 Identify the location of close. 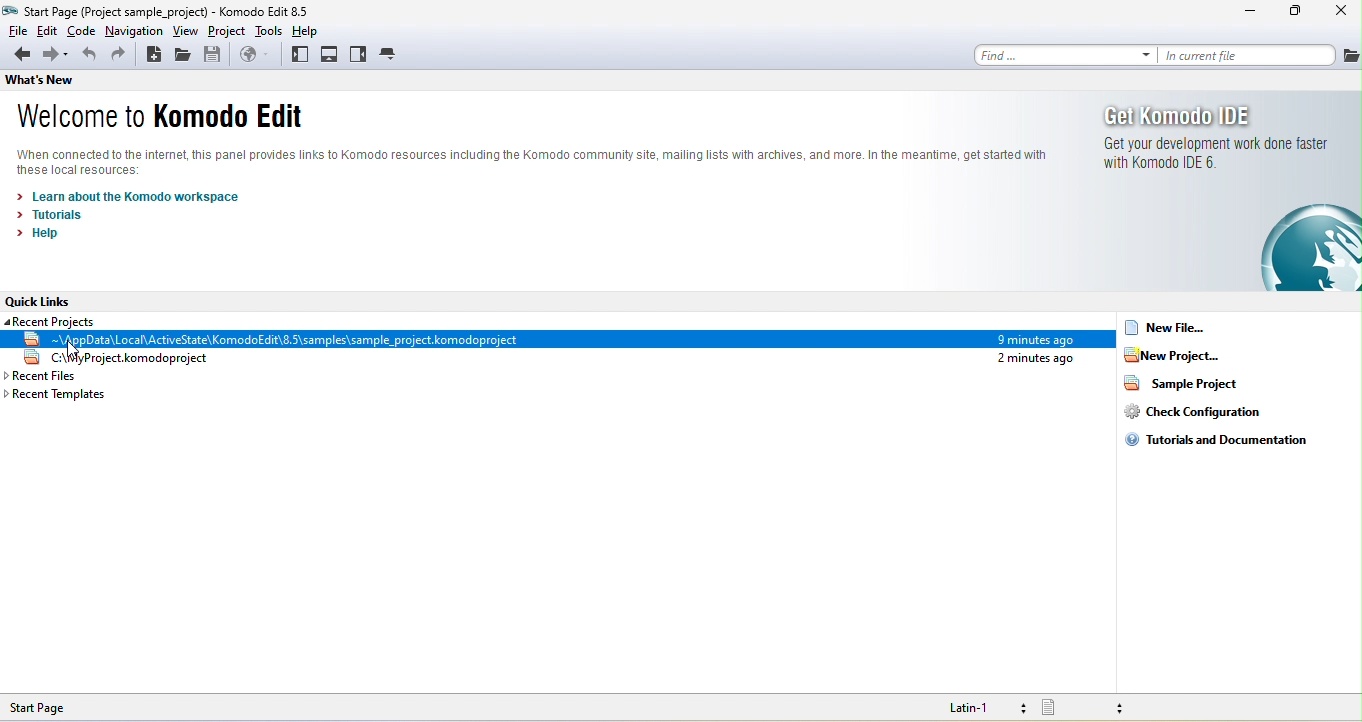
(1338, 13).